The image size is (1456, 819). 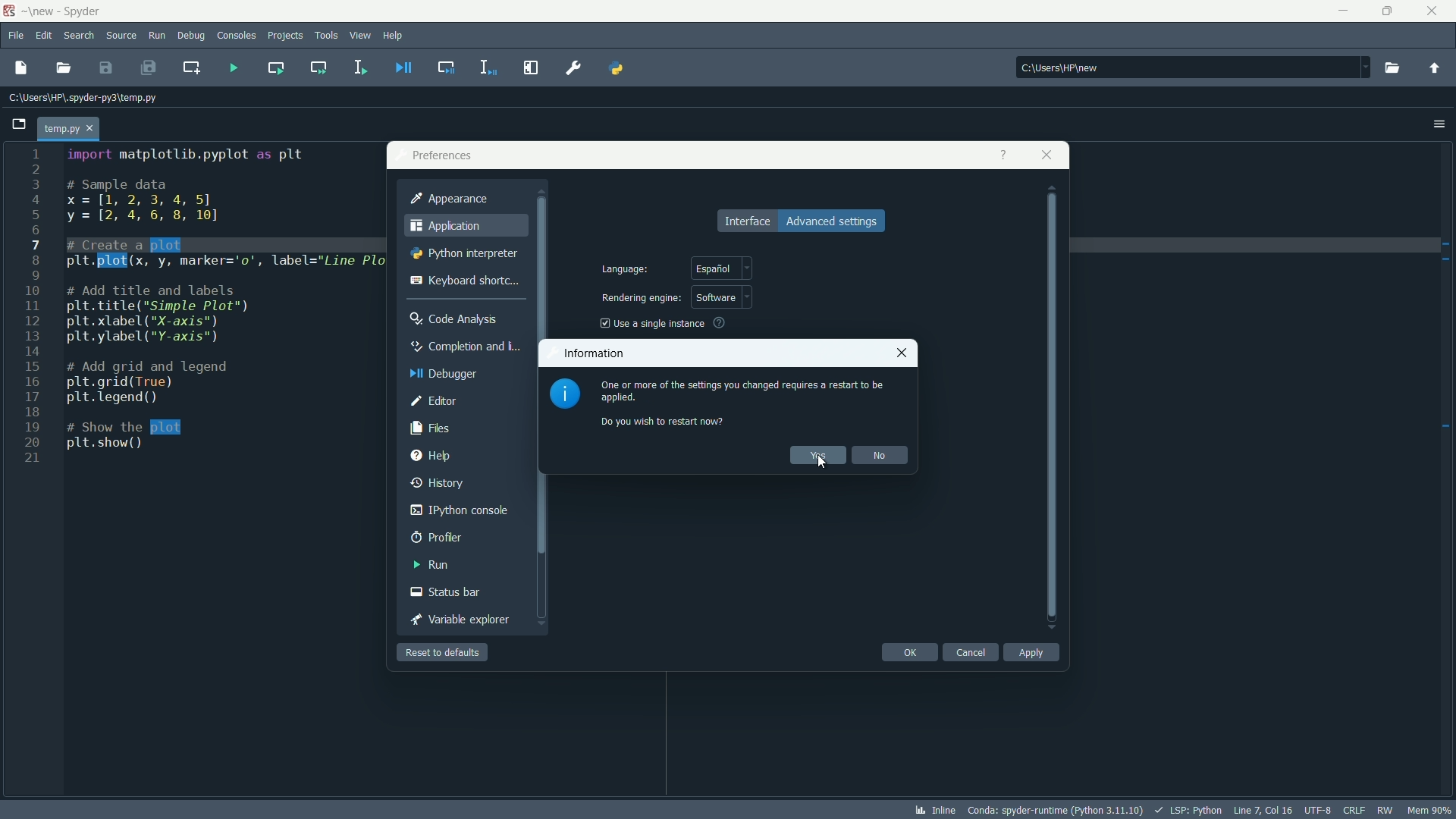 I want to click on create new cell at the current line, so click(x=190, y=67).